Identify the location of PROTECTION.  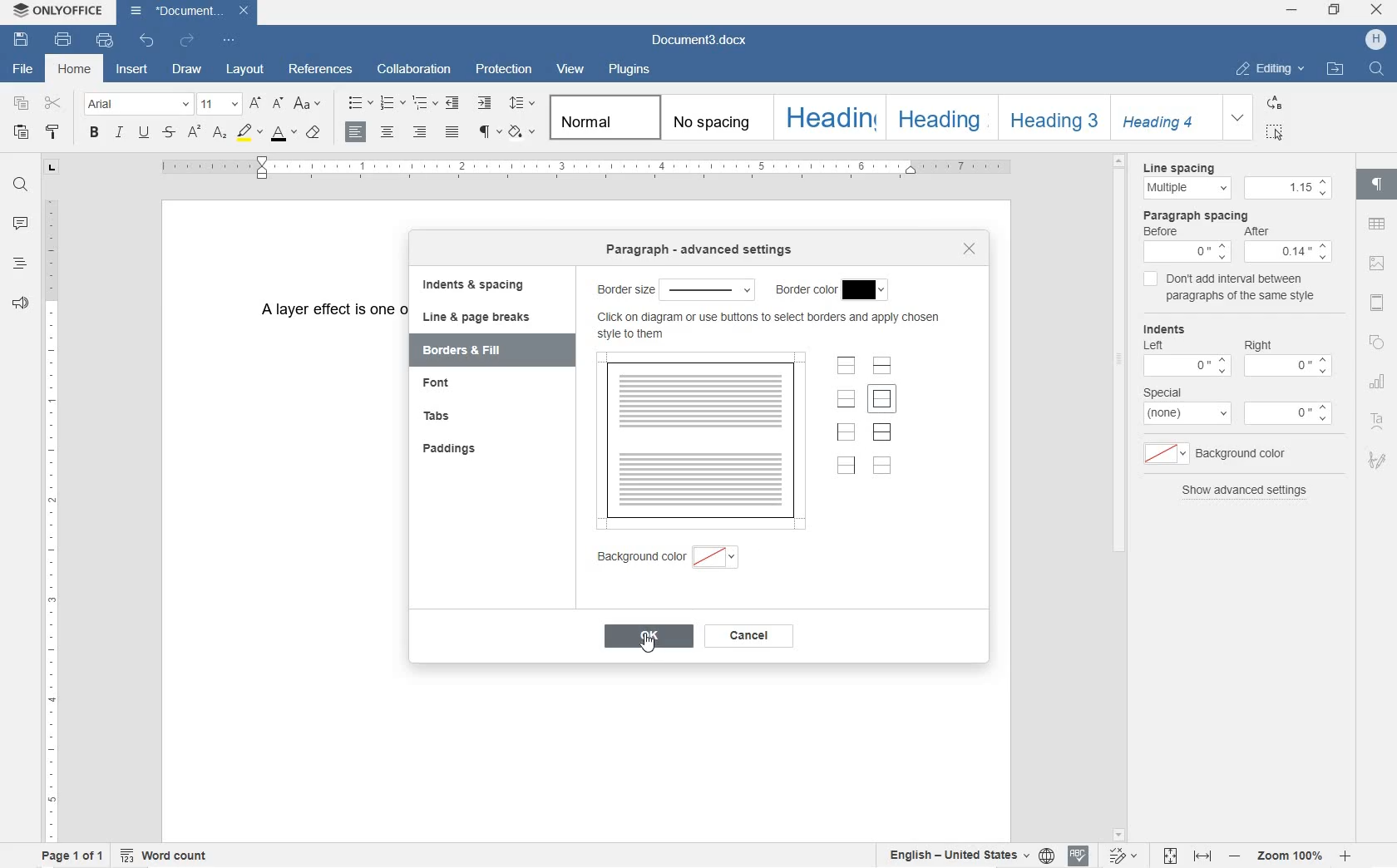
(506, 71).